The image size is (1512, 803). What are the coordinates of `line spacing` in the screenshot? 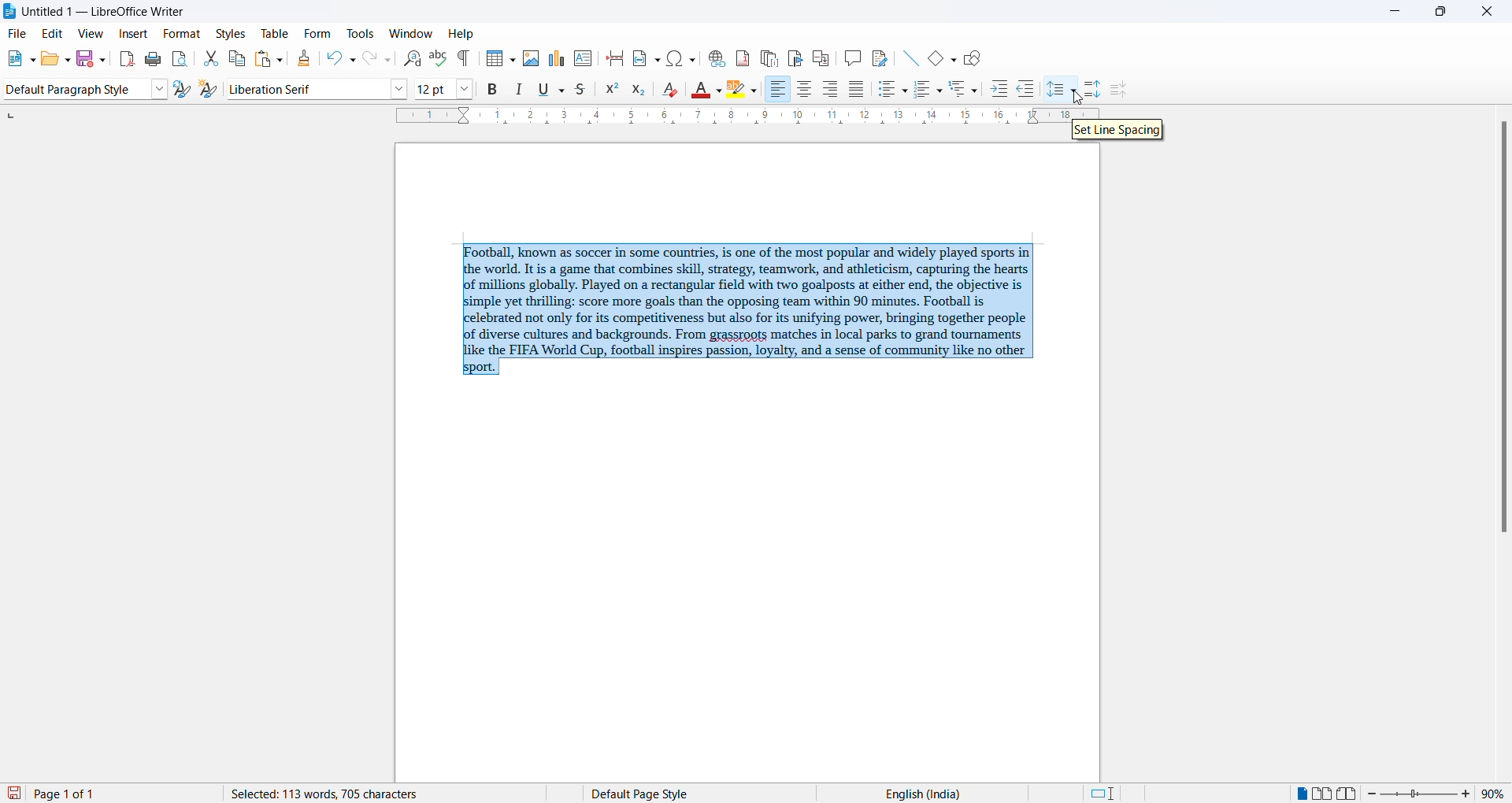 It's located at (1054, 90).